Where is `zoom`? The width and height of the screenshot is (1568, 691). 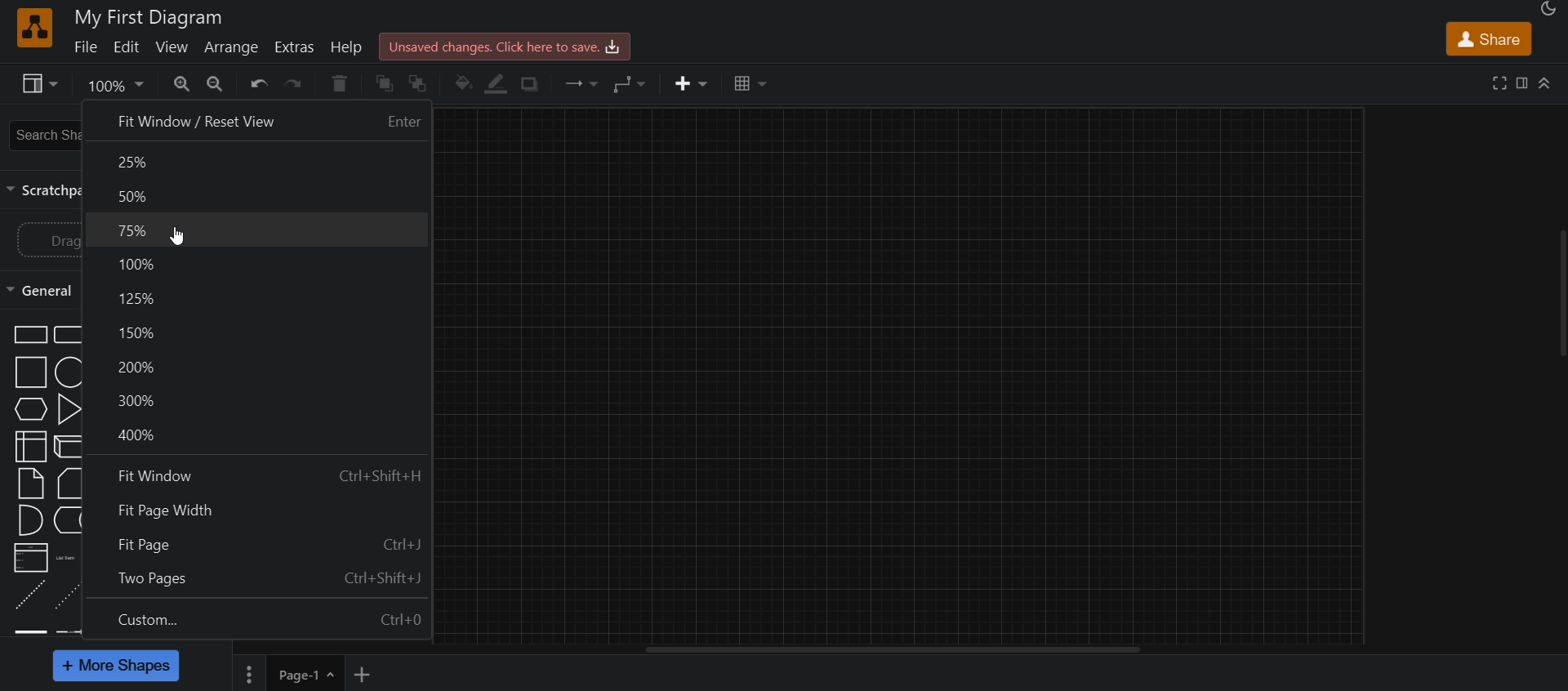 zoom is located at coordinates (113, 87).